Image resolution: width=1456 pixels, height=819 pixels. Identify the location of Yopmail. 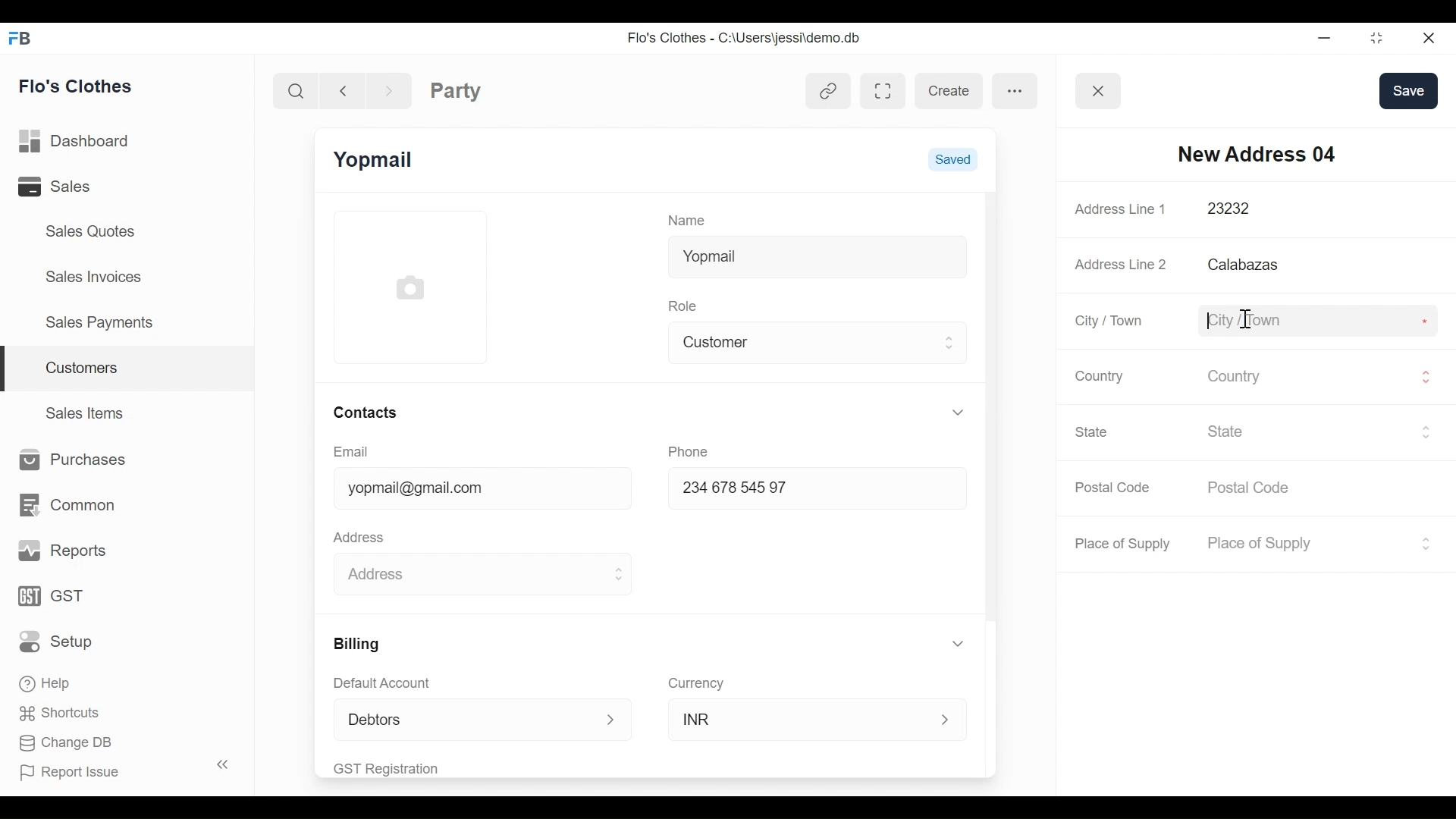
(375, 160).